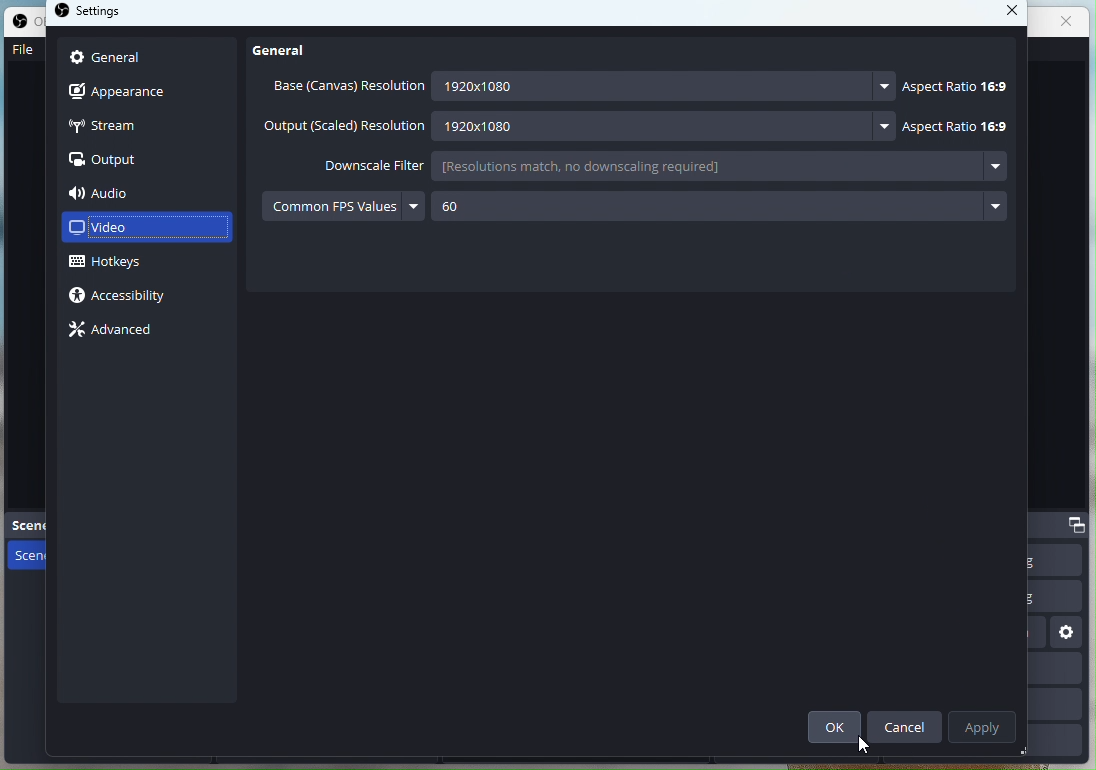 The width and height of the screenshot is (1096, 770). What do you see at coordinates (859, 745) in the screenshot?
I see `cursor` at bounding box center [859, 745].